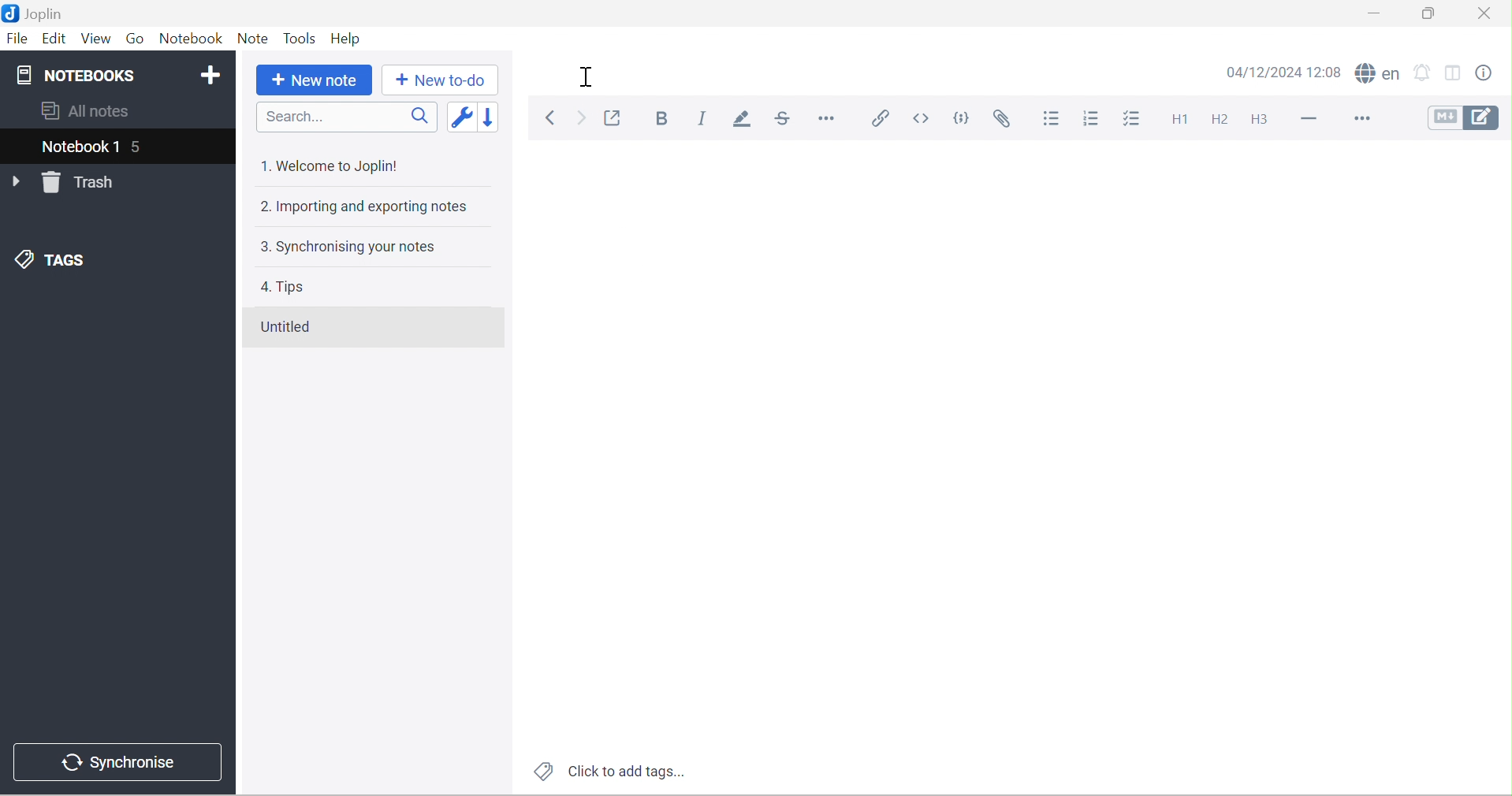 The image size is (1512, 796). I want to click on Highlight, so click(743, 121).